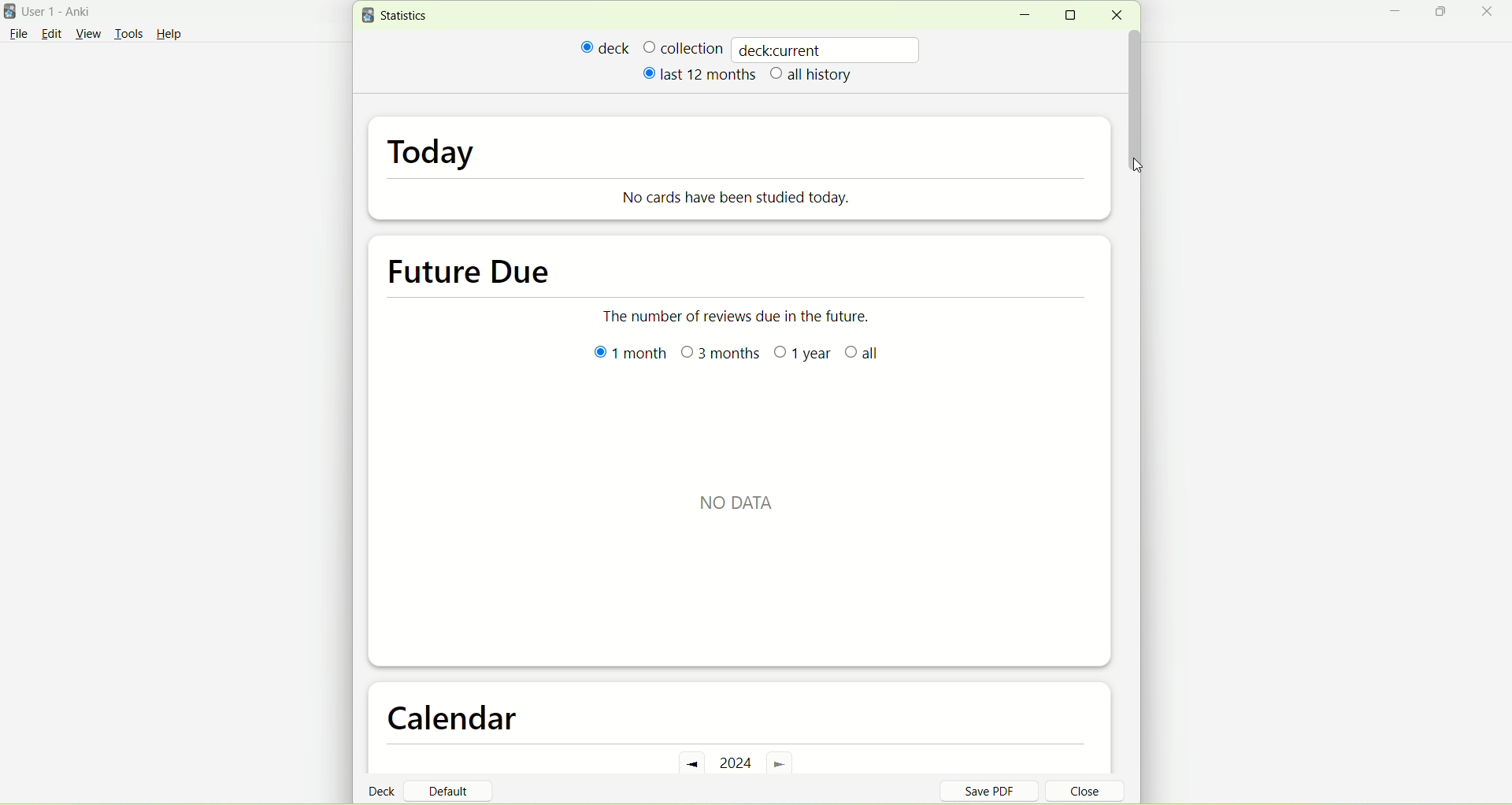 The height and width of the screenshot is (805, 1512). What do you see at coordinates (398, 16) in the screenshot?
I see `statistics` at bounding box center [398, 16].